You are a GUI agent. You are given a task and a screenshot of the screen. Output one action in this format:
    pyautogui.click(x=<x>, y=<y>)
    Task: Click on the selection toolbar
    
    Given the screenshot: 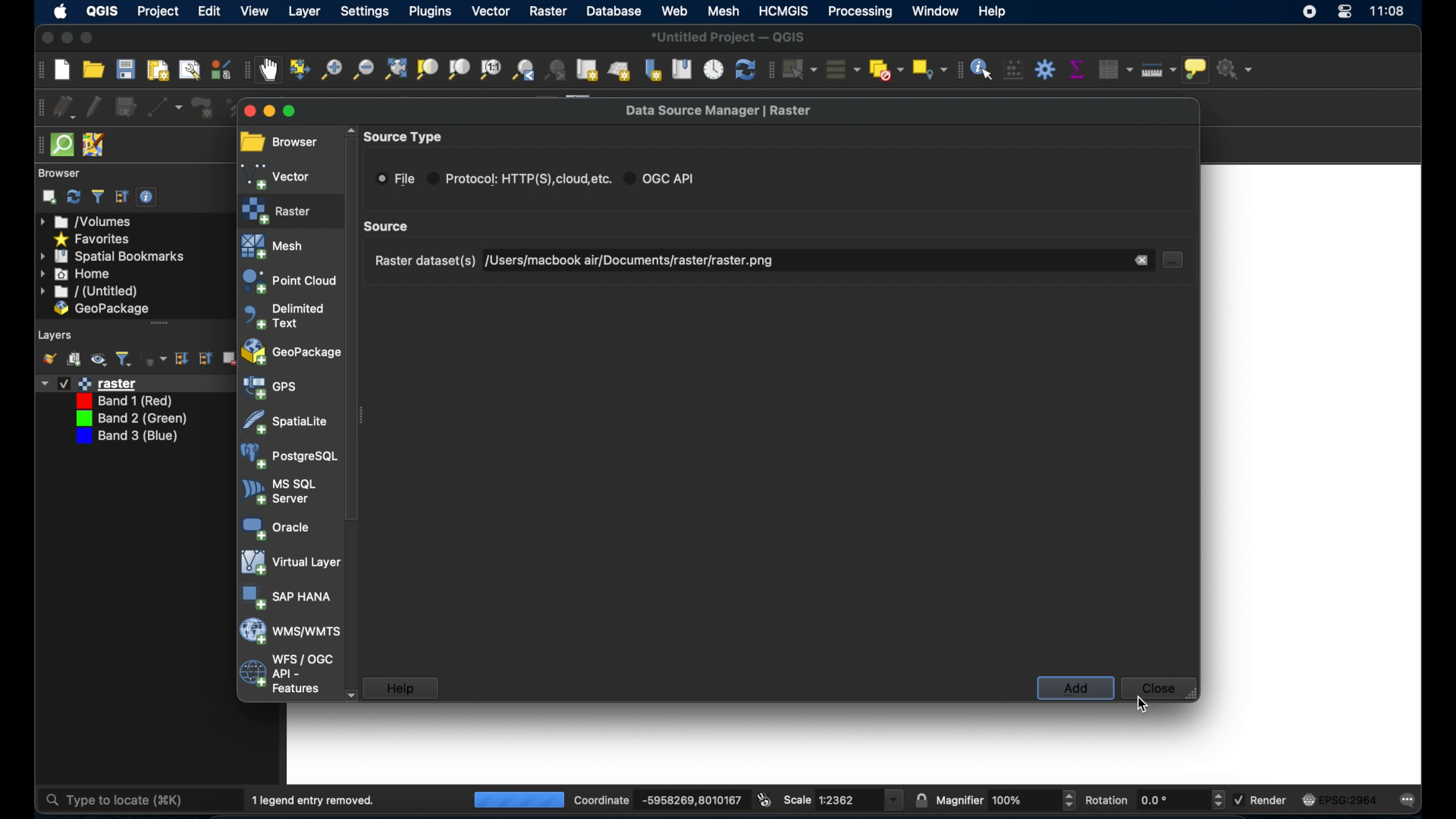 What is the action you would take?
    pyautogui.click(x=770, y=69)
    